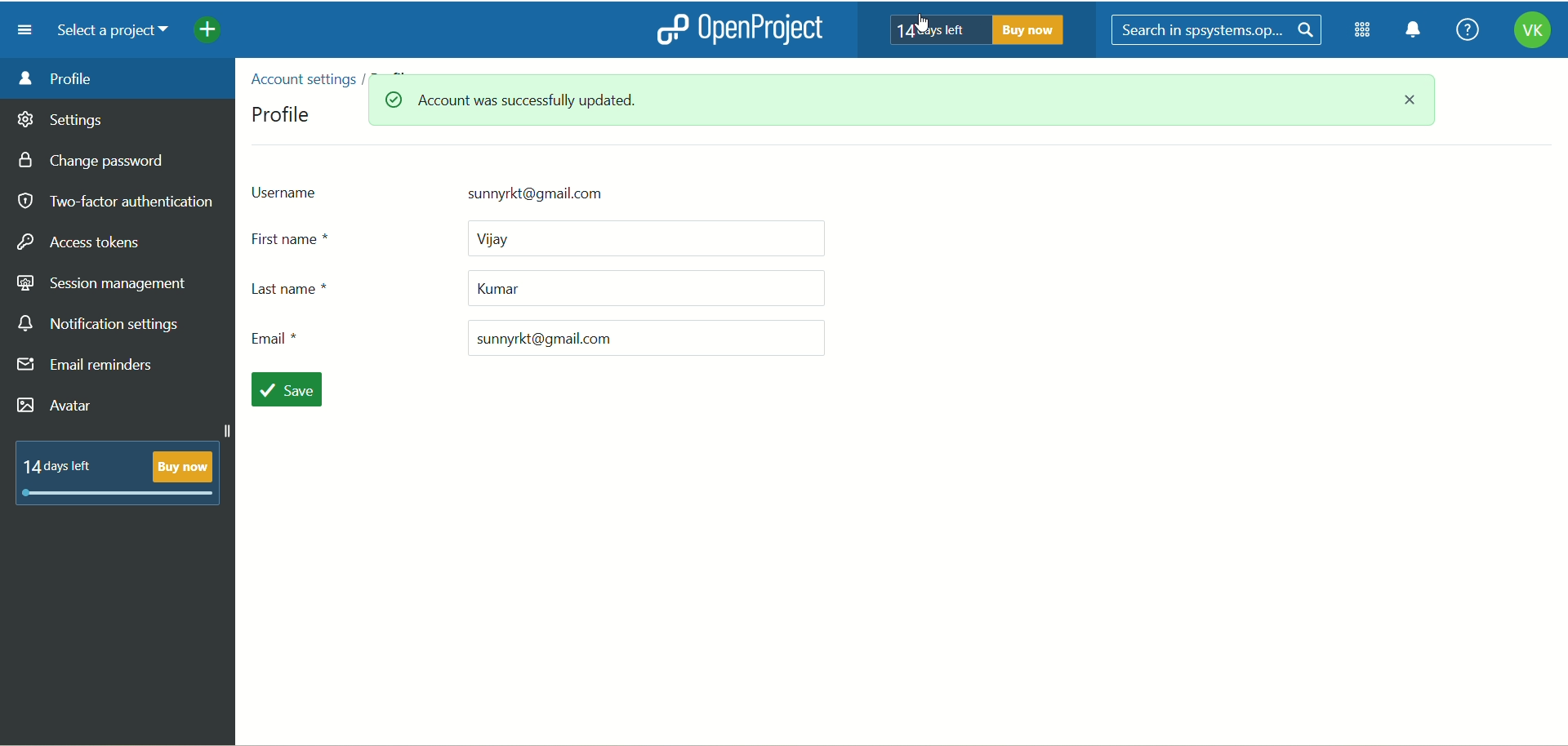  Describe the element at coordinates (1419, 33) in the screenshot. I see `notification` at that location.